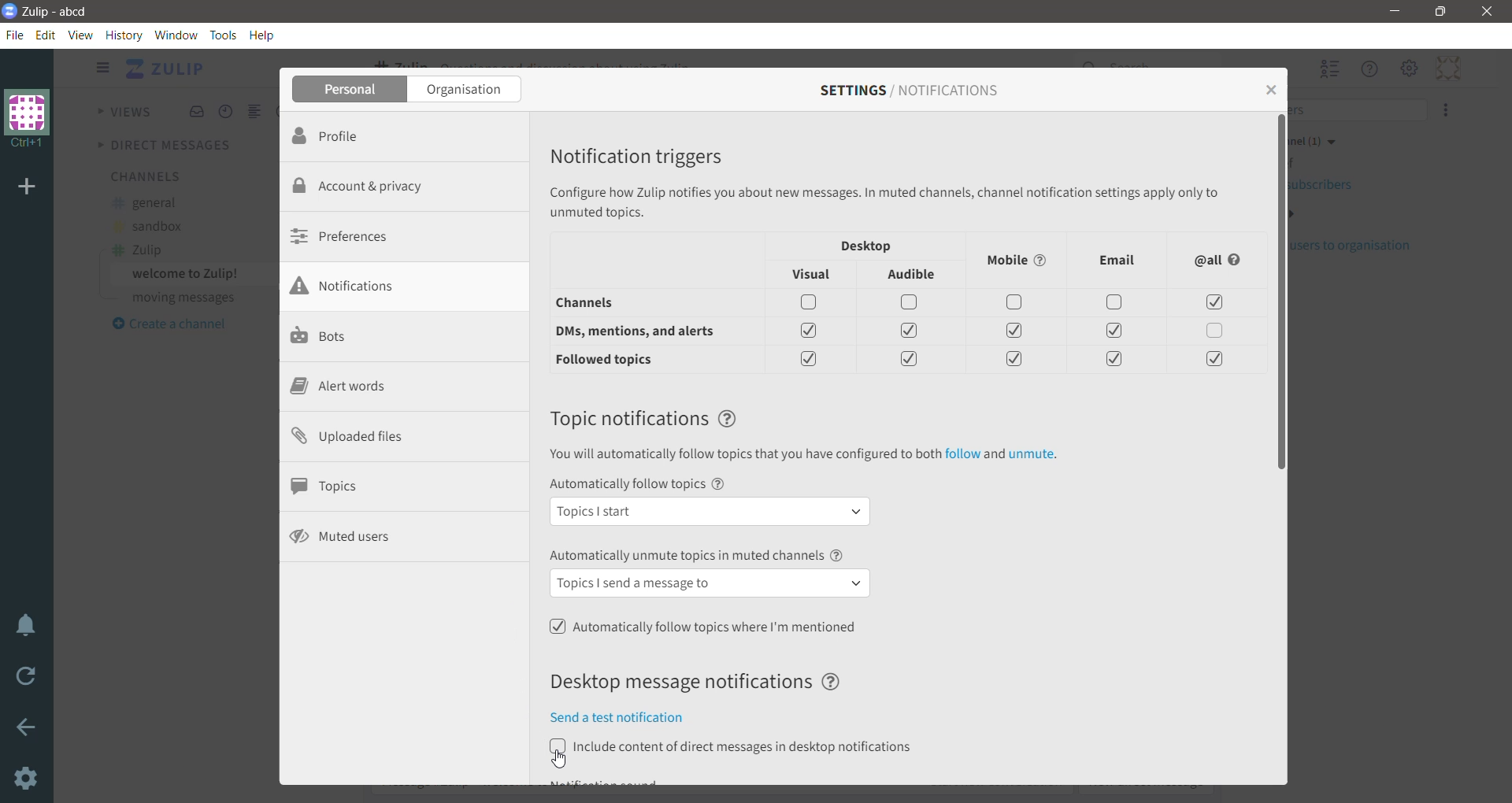 This screenshot has height=803, width=1512. I want to click on Desktop message notifications, so click(703, 682).